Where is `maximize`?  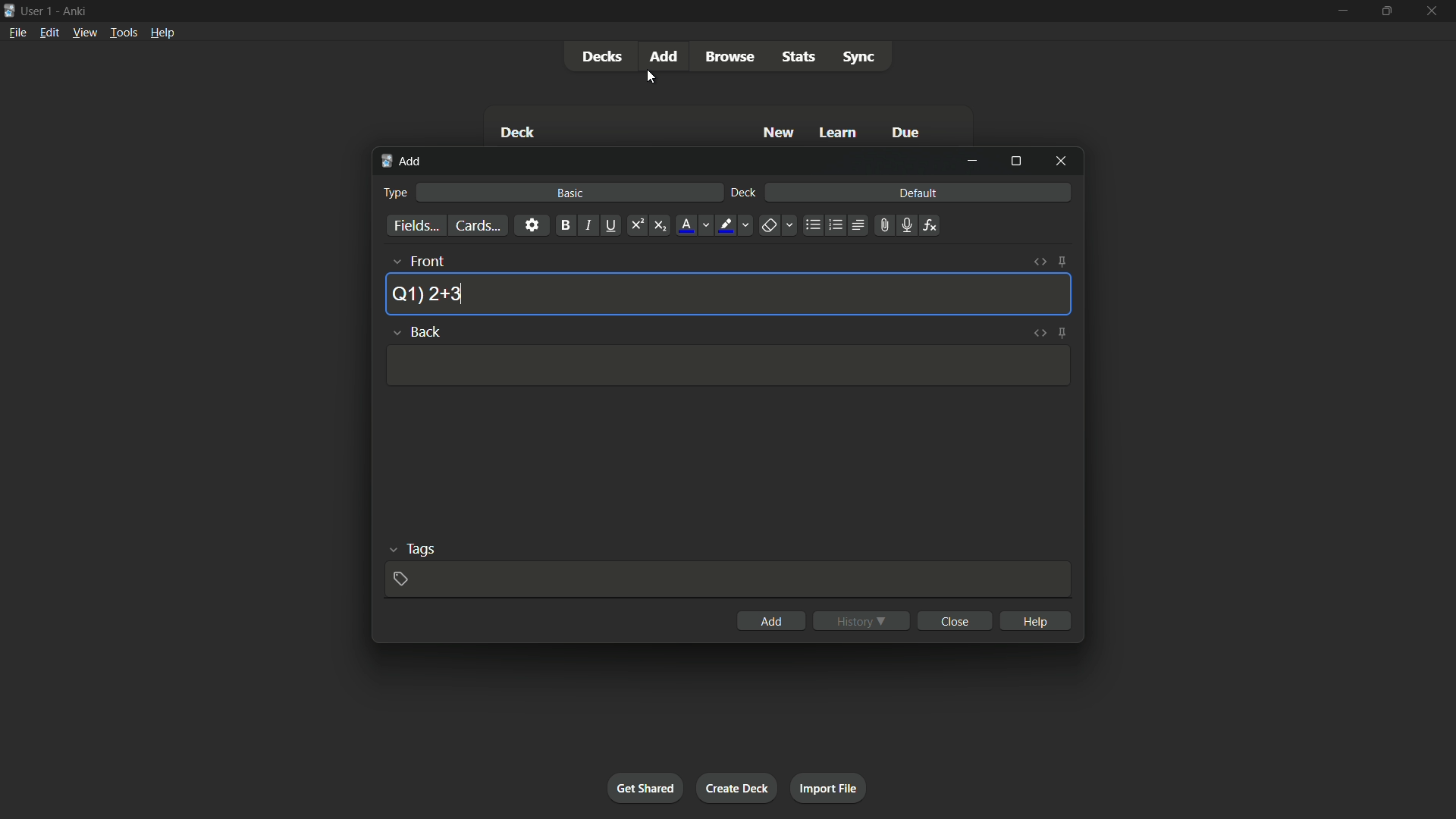
maximize is located at coordinates (1385, 11).